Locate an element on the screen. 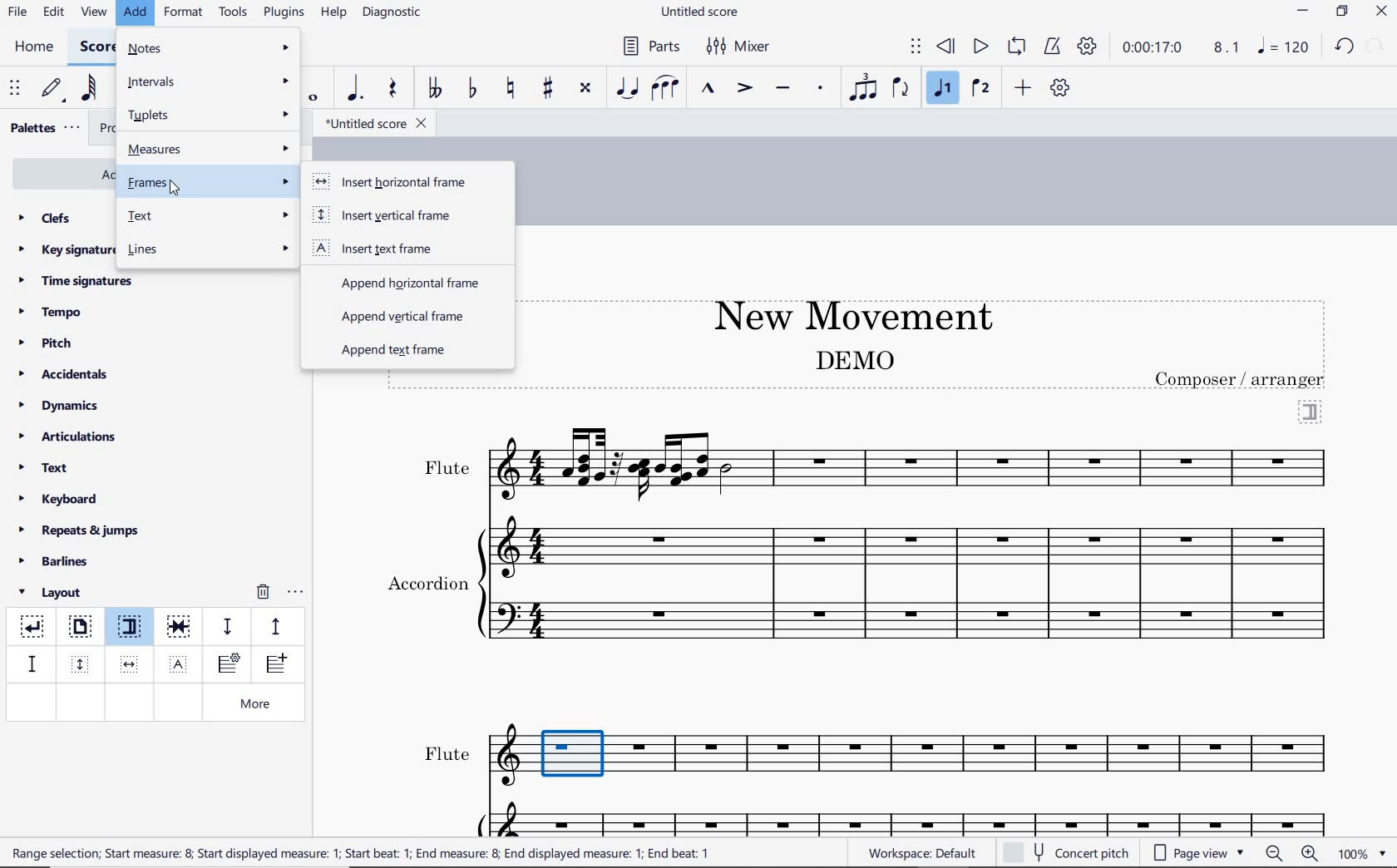  t is located at coordinates (209, 114).